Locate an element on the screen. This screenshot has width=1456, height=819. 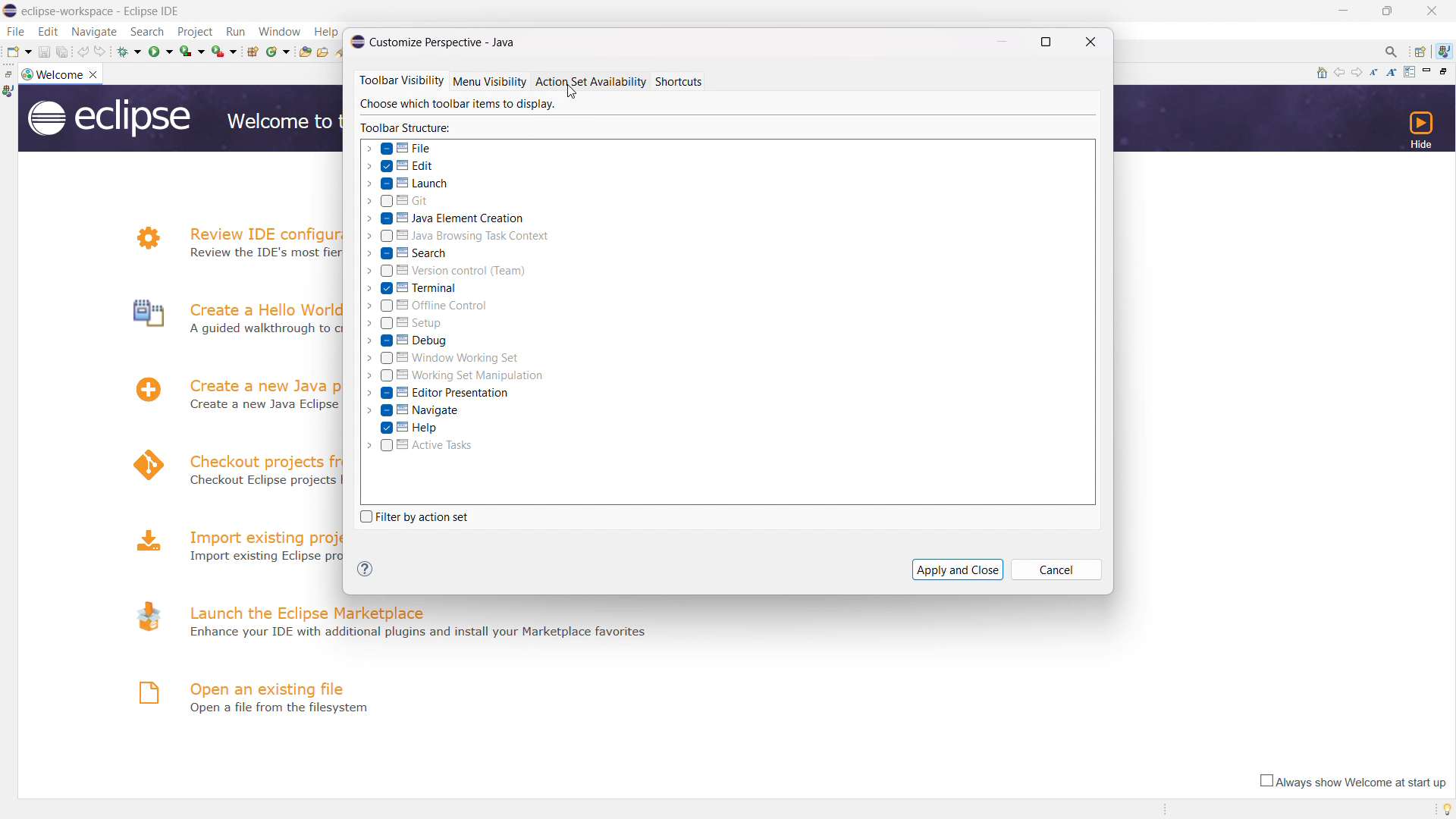
save is located at coordinates (43, 52).